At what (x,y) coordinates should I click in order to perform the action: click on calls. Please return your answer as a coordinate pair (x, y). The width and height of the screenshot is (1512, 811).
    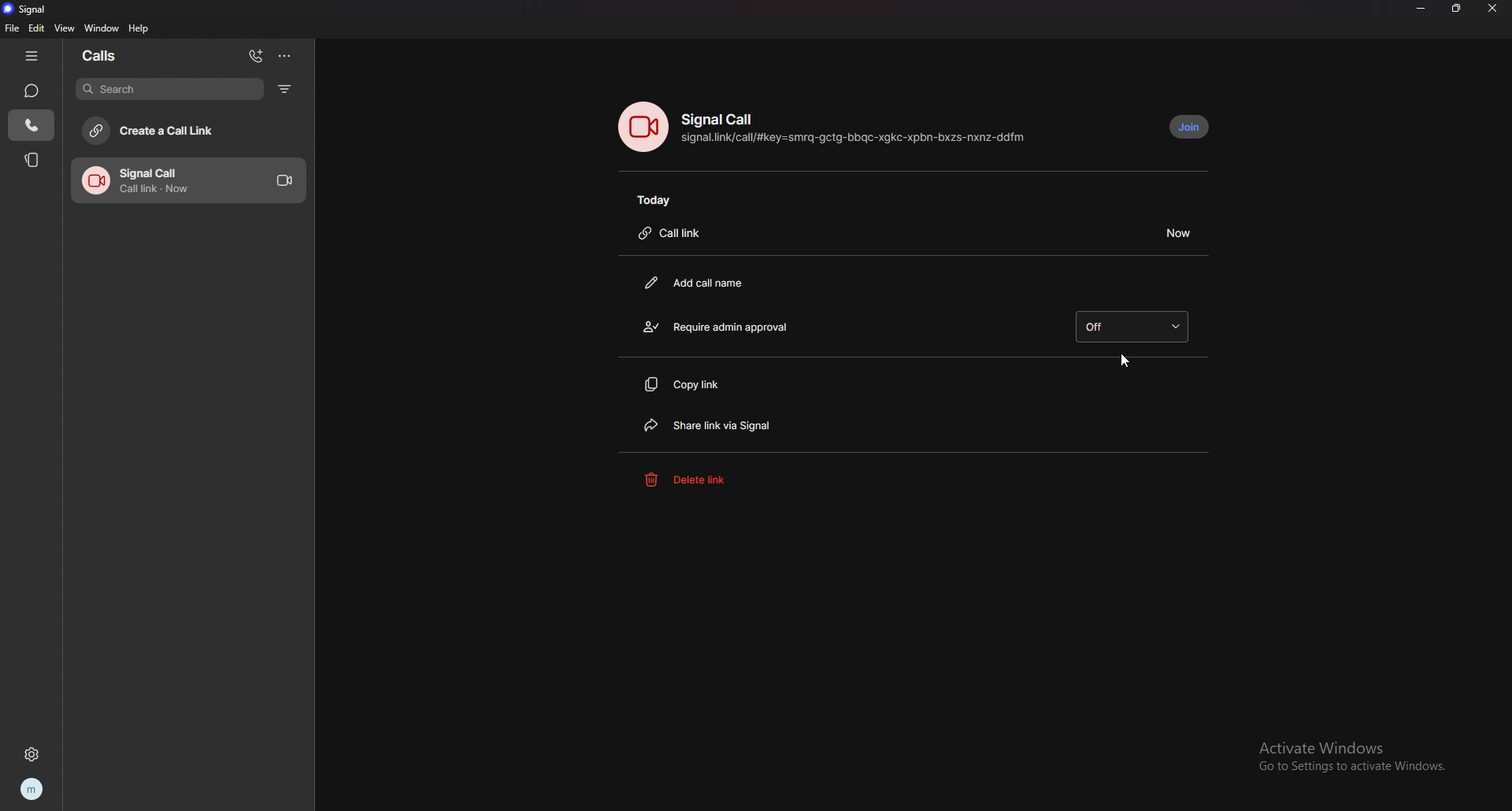
    Looking at the image, I should click on (31, 126).